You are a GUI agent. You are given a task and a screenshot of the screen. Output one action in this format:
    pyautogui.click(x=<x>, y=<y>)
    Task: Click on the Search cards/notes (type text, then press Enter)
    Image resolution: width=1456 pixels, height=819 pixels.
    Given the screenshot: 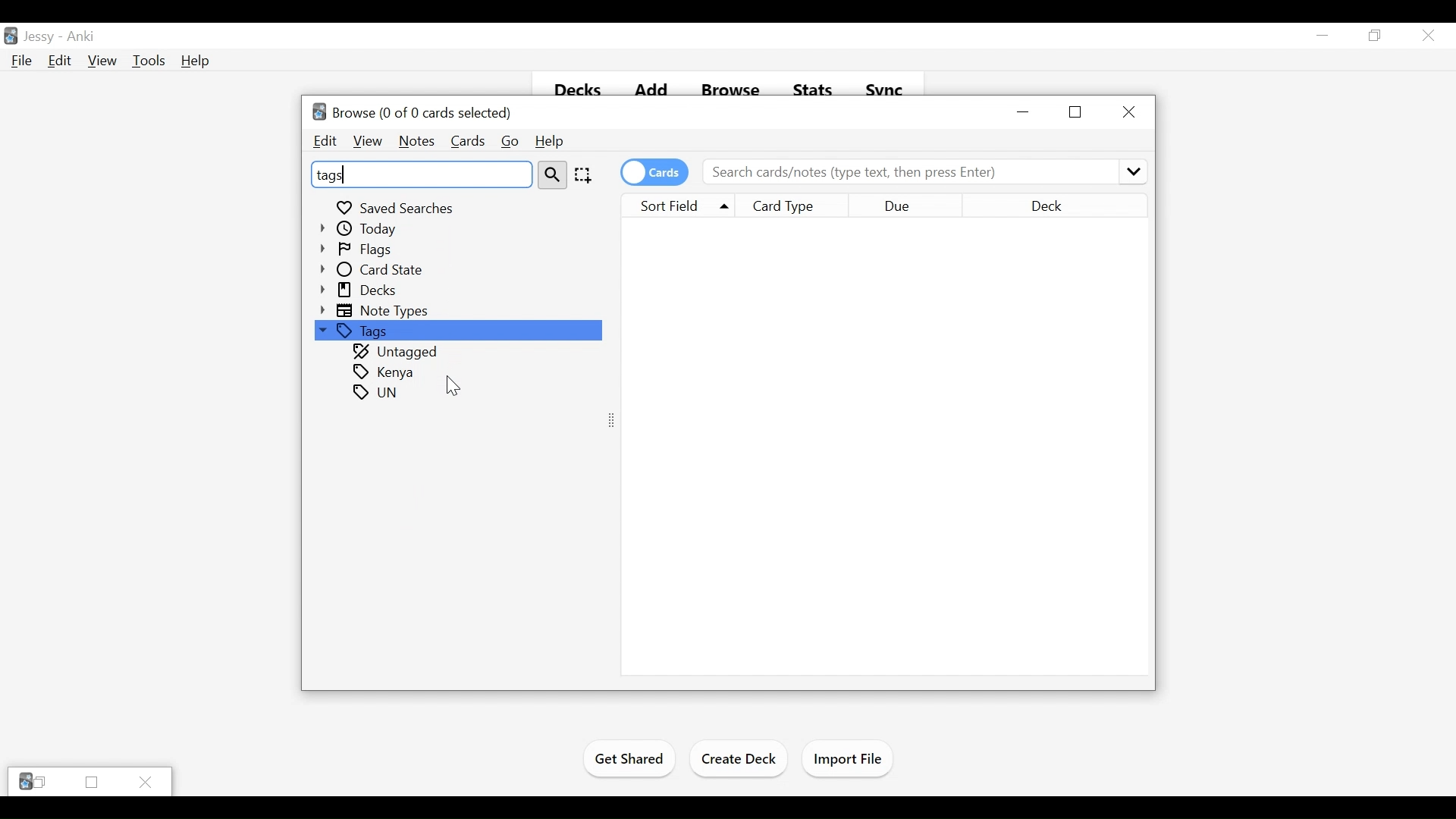 What is the action you would take?
    pyautogui.click(x=924, y=171)
    